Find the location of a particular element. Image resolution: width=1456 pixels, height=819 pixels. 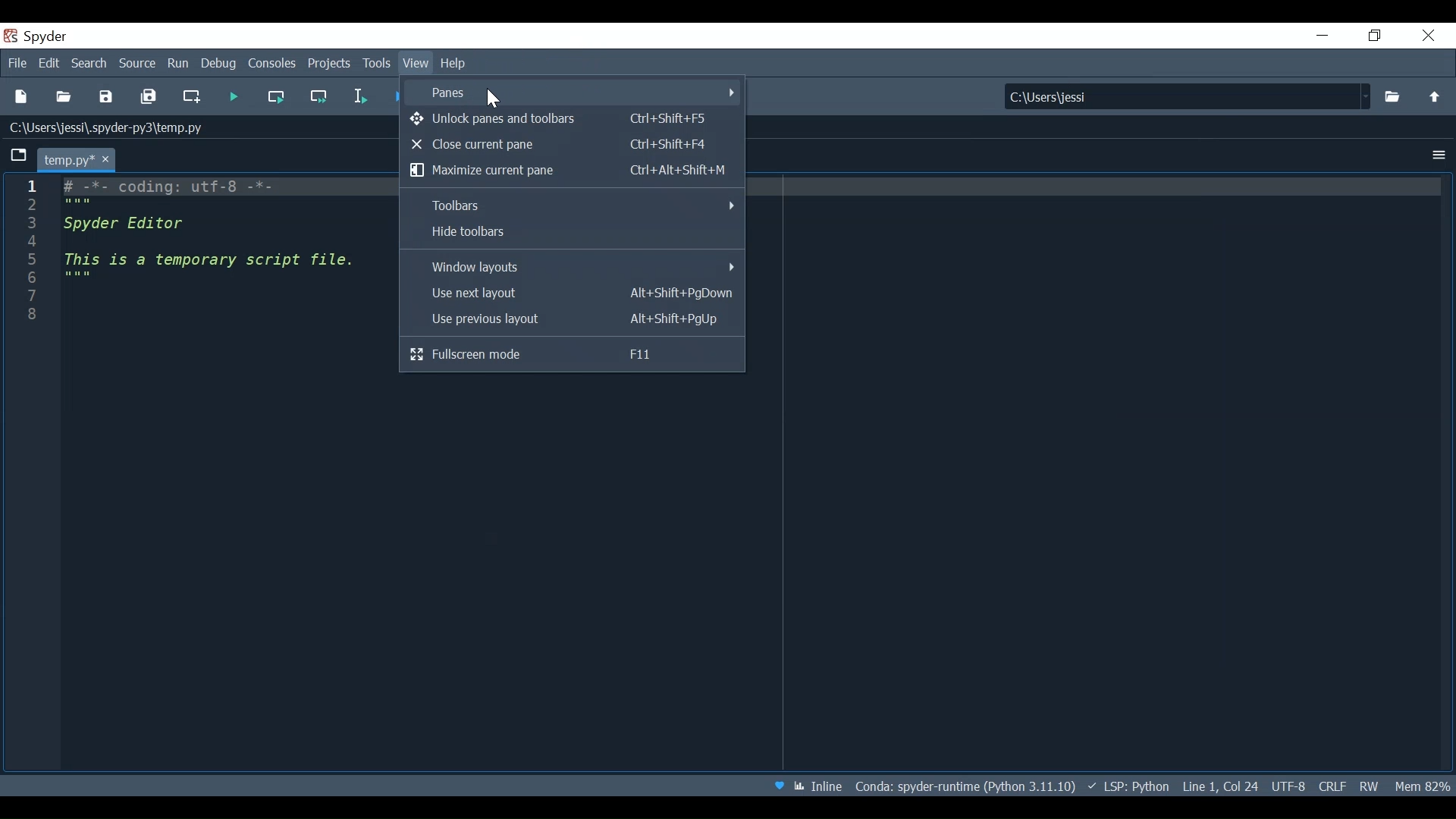

Browse is located at coordinates (1393, 96).